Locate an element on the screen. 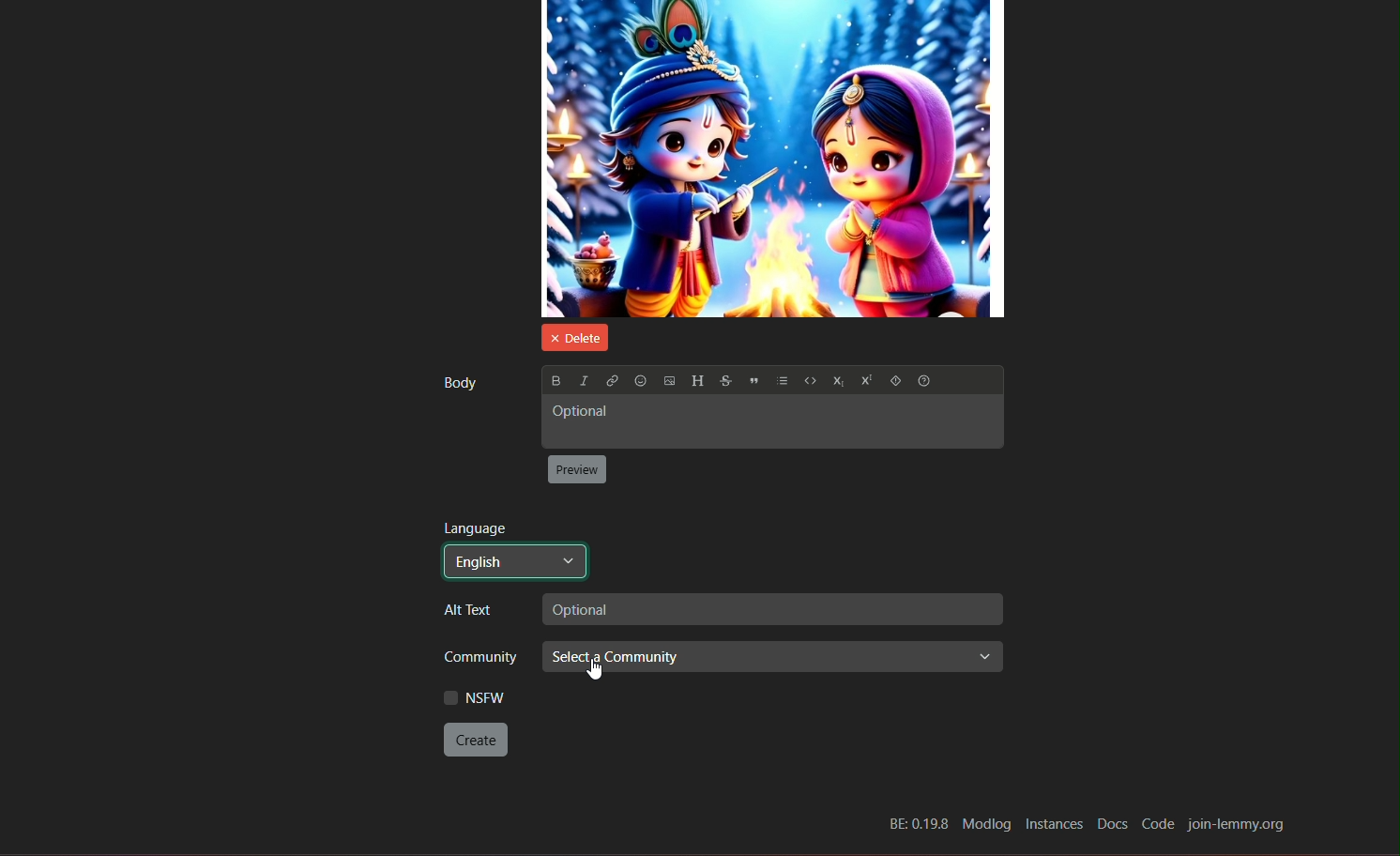   is located at coordinates (809, 383).